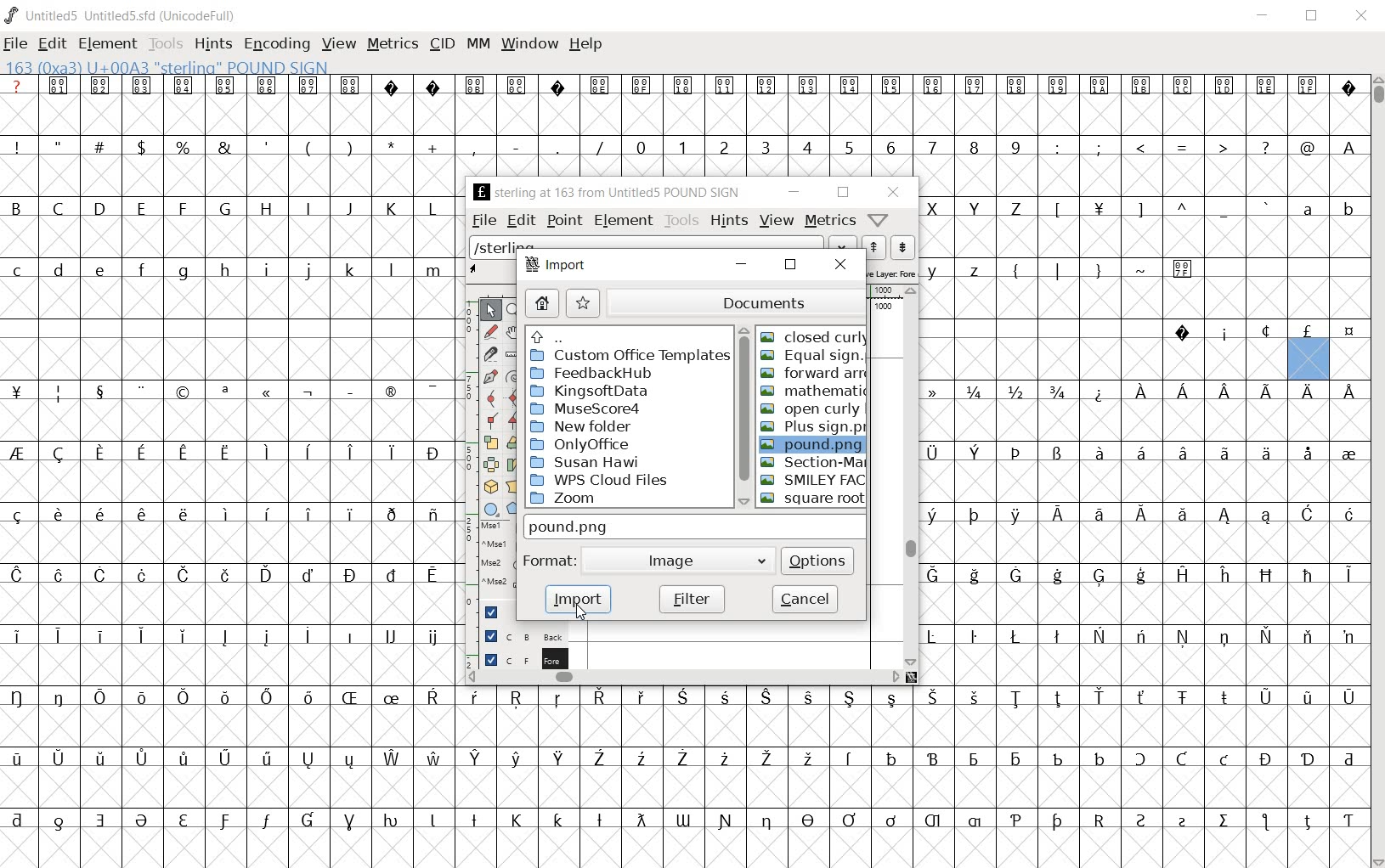  What do you see at coordinates (495, 442) in the screenshot?
I see `scale` at bounding box center [495, 442].